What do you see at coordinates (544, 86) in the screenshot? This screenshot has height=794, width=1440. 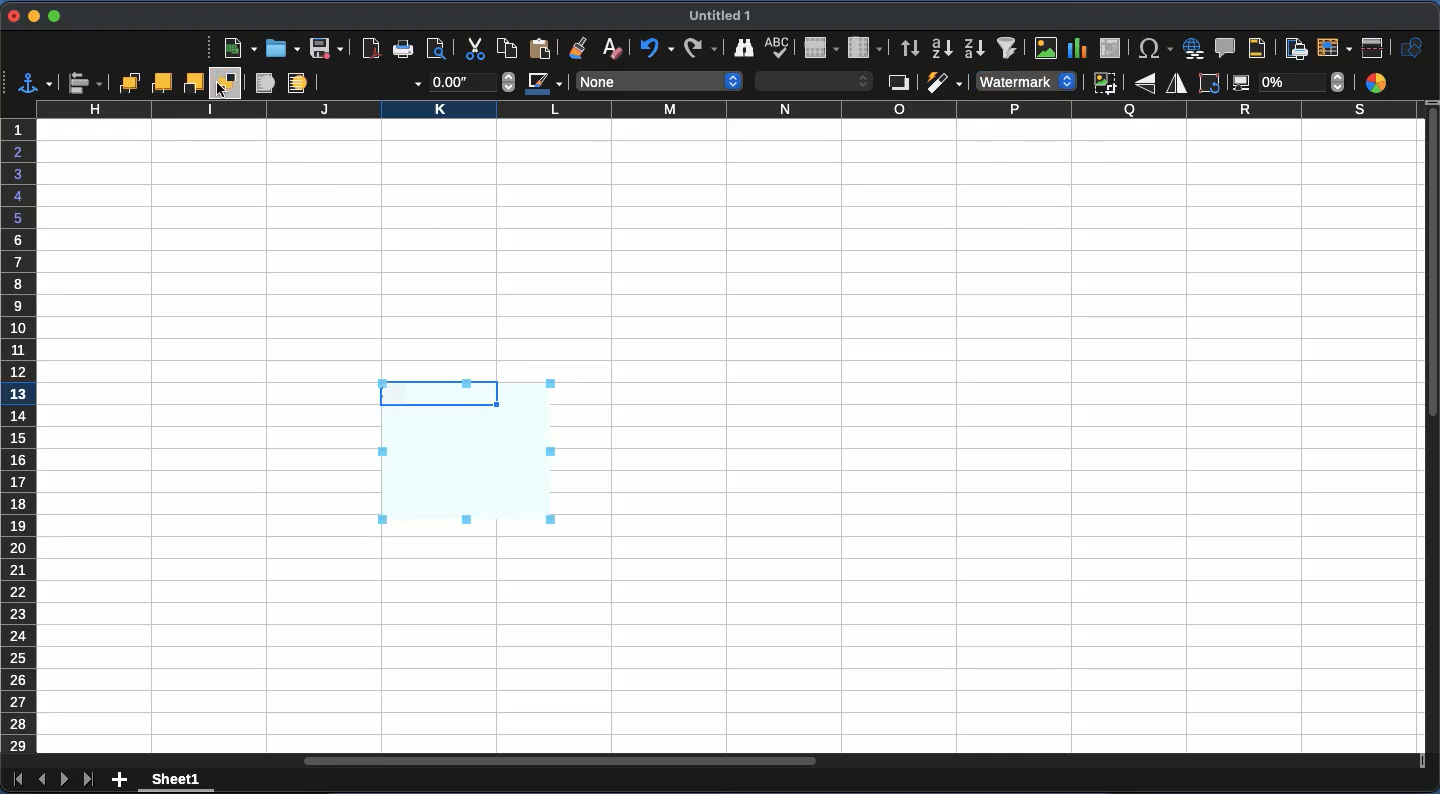 I see `line color` at bounding box center [544, 86].